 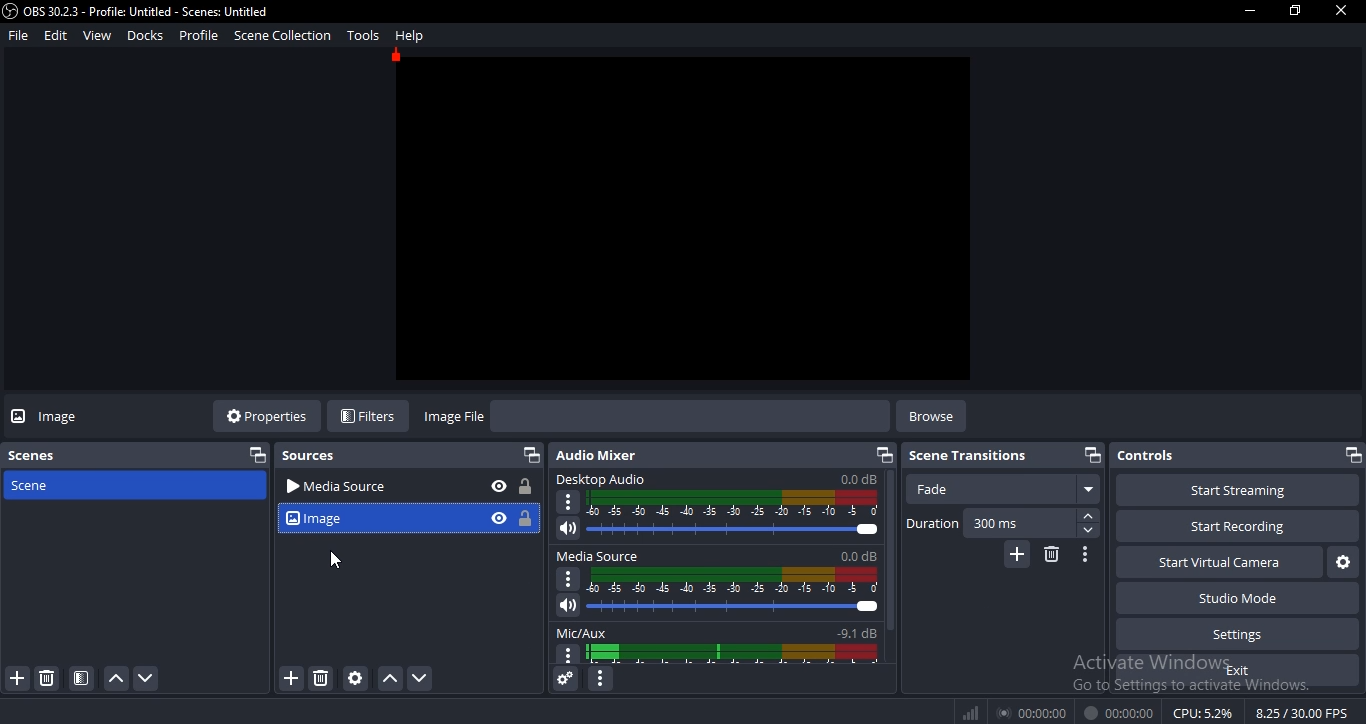 What do you see at coordinates (81, 678) in the screenshot?
I see `scene` at bounding box center [81, 678].